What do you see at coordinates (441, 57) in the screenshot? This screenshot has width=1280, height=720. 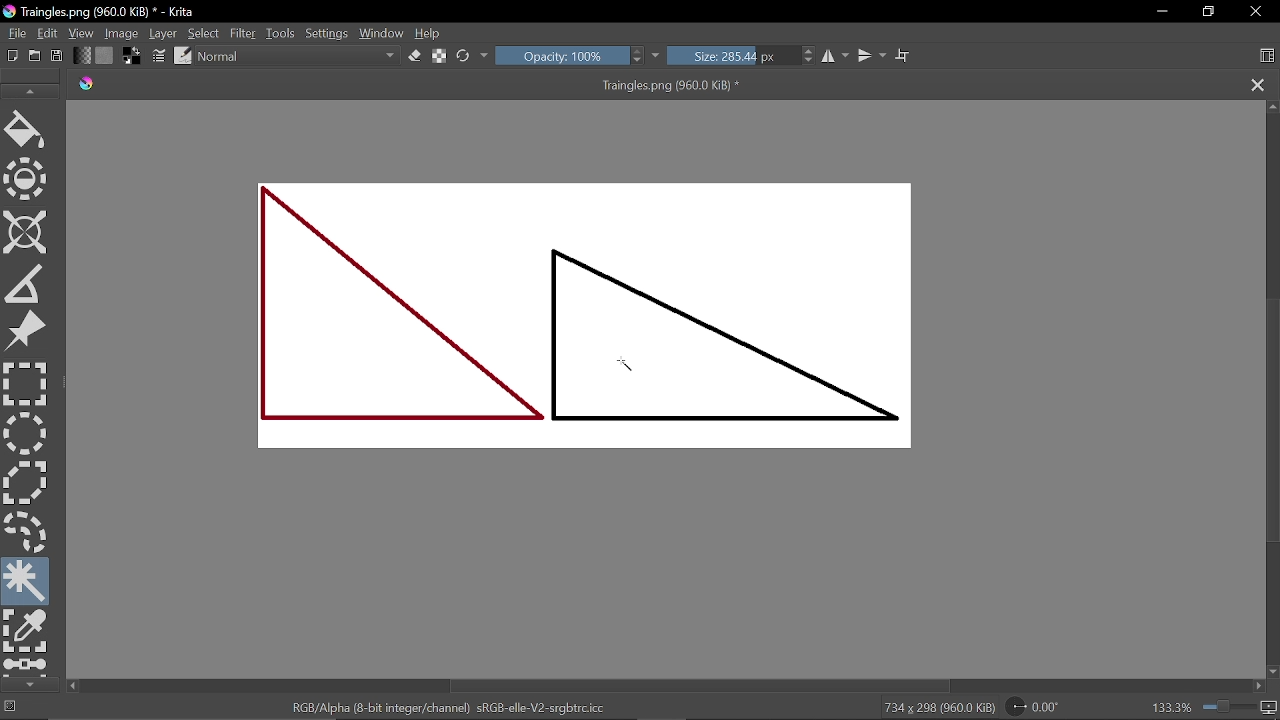 I see `Reload alpha` at bounding box center [441, 57].